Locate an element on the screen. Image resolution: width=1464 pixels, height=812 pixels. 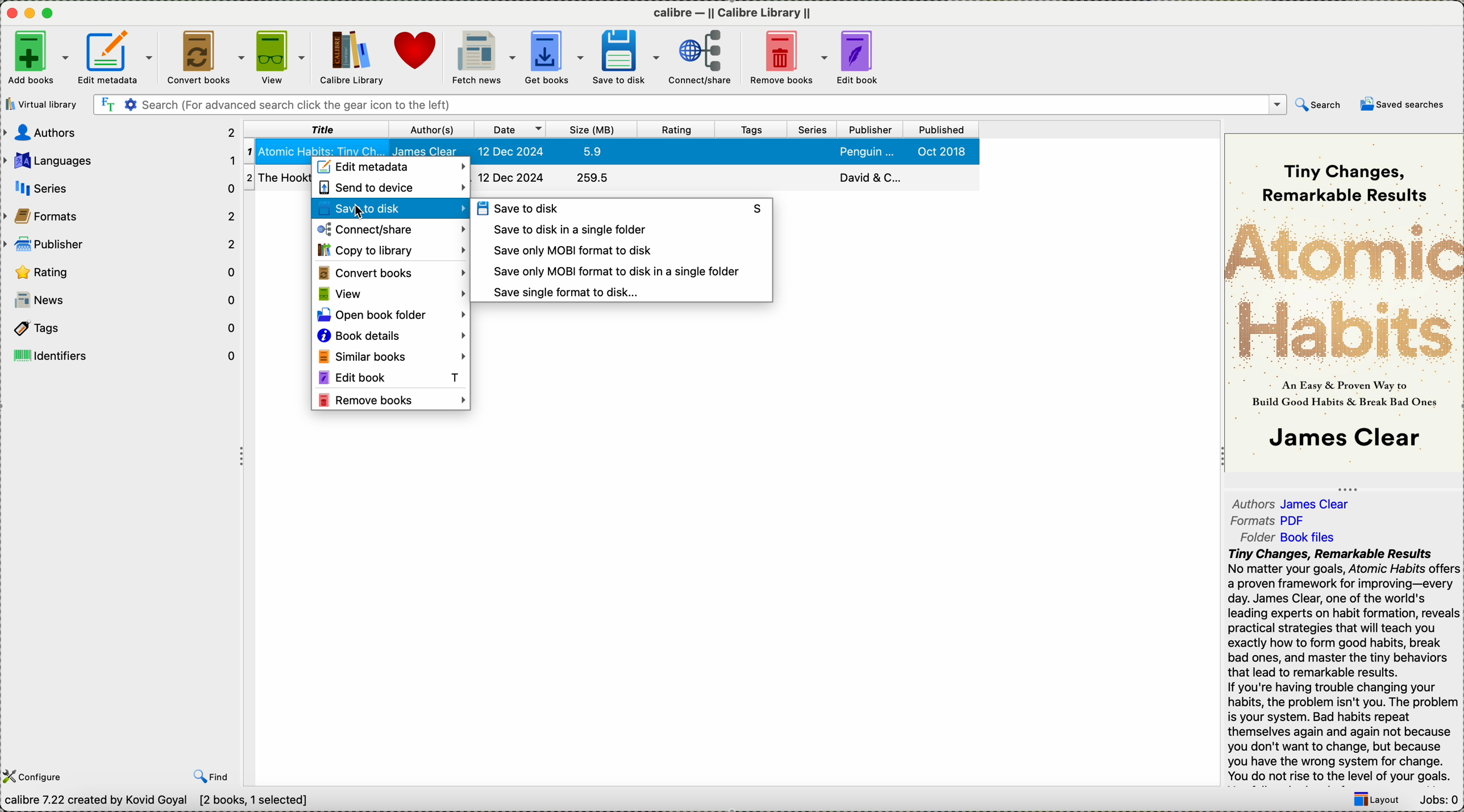
minimize is located at coordinates (30, 11).